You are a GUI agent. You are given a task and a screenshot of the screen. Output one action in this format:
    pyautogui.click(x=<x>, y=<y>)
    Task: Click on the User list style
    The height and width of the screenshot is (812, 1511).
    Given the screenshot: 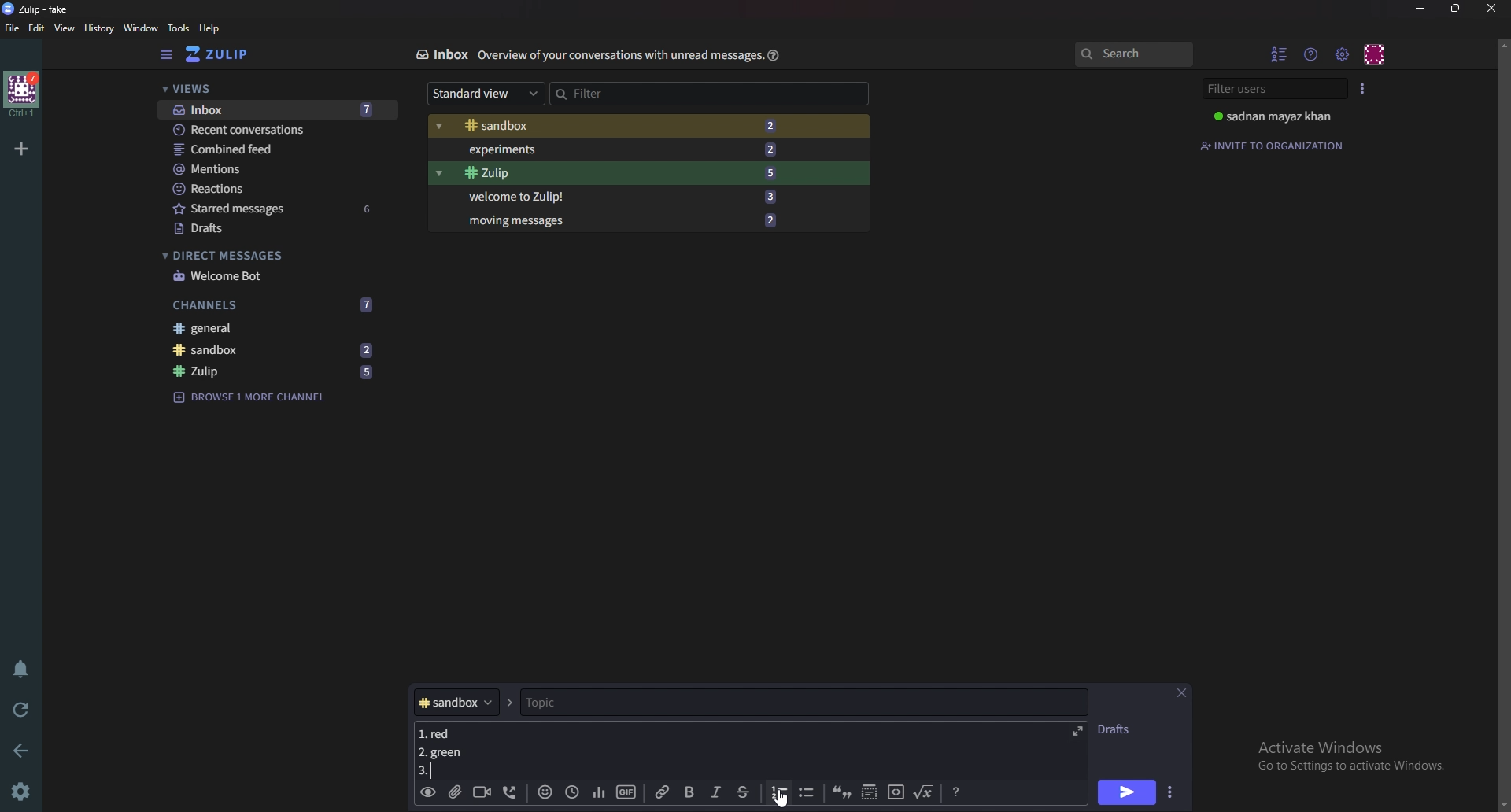 What is the action you would take?
    pyautogui.click(x=1364, y=87)
    